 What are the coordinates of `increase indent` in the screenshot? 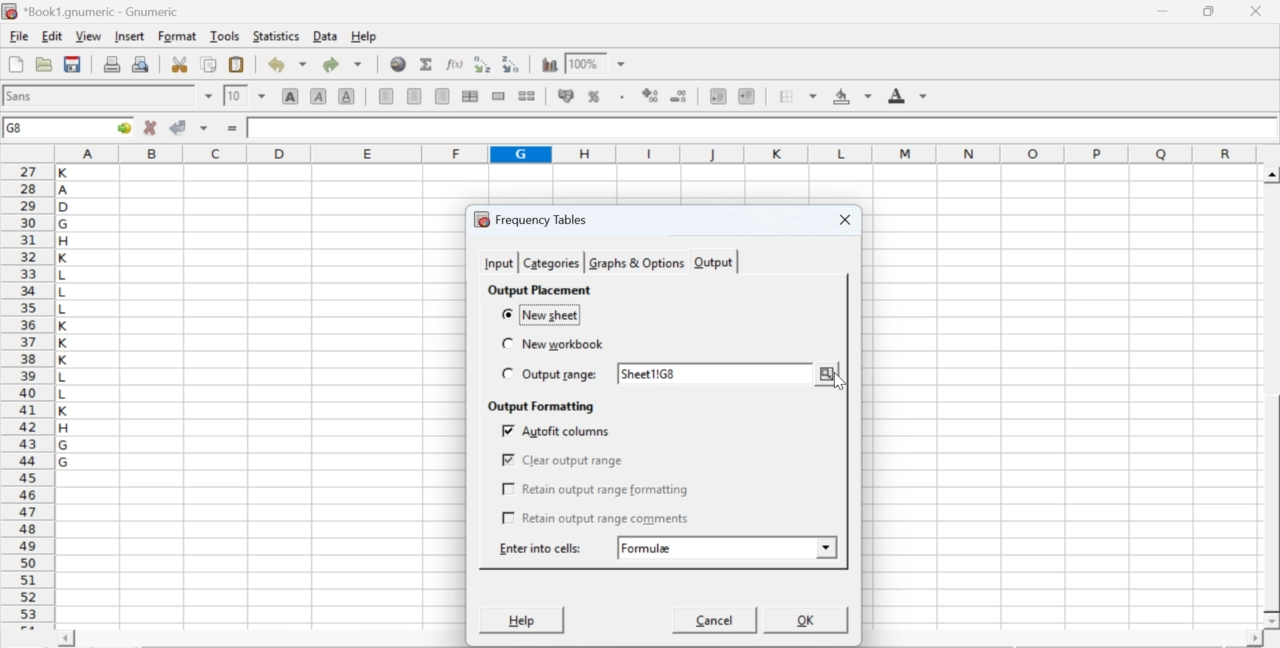 It's located at (746, 97).